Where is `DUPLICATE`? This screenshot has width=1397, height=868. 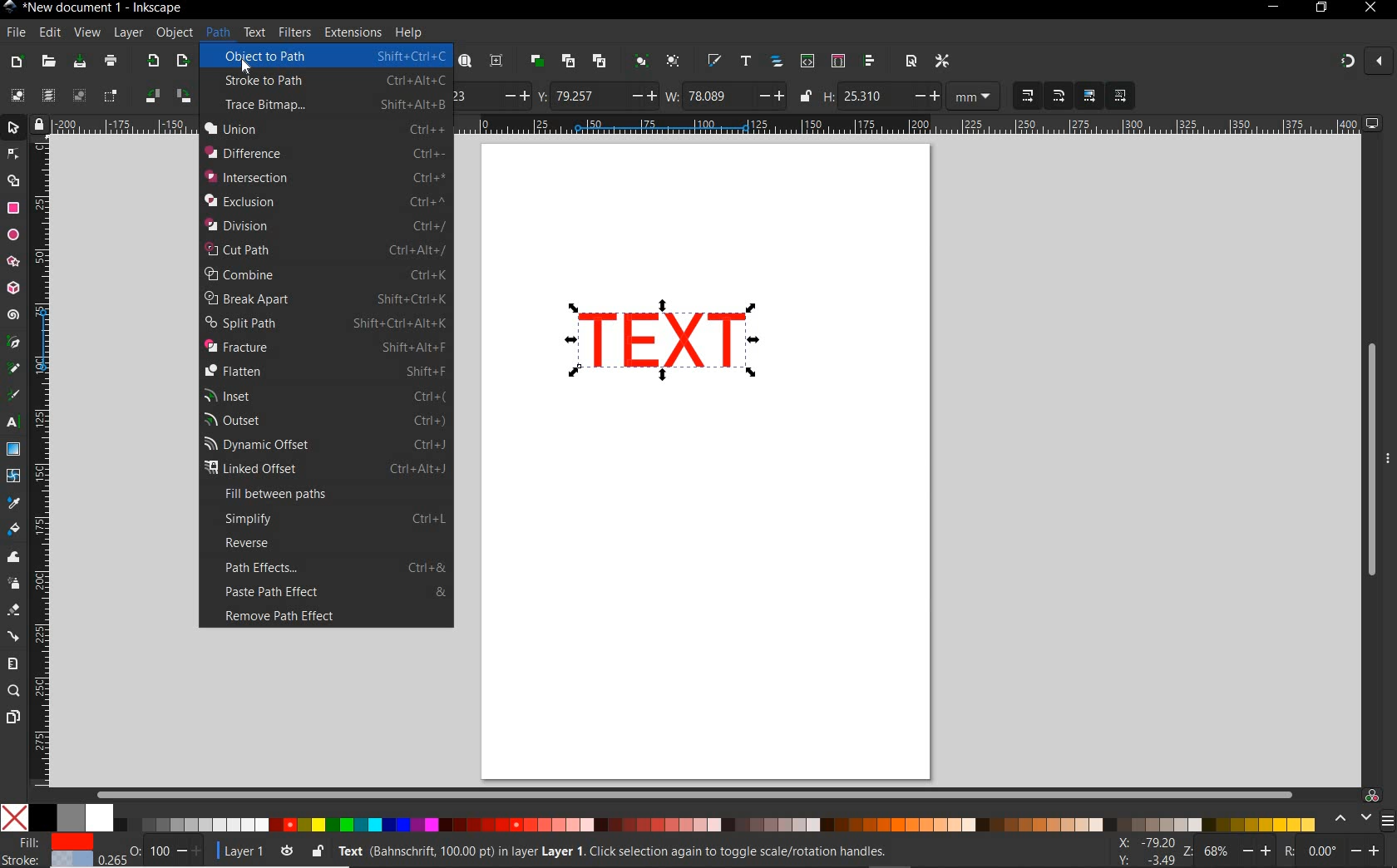 DUPLICATE is located at coordinates (535, 62).